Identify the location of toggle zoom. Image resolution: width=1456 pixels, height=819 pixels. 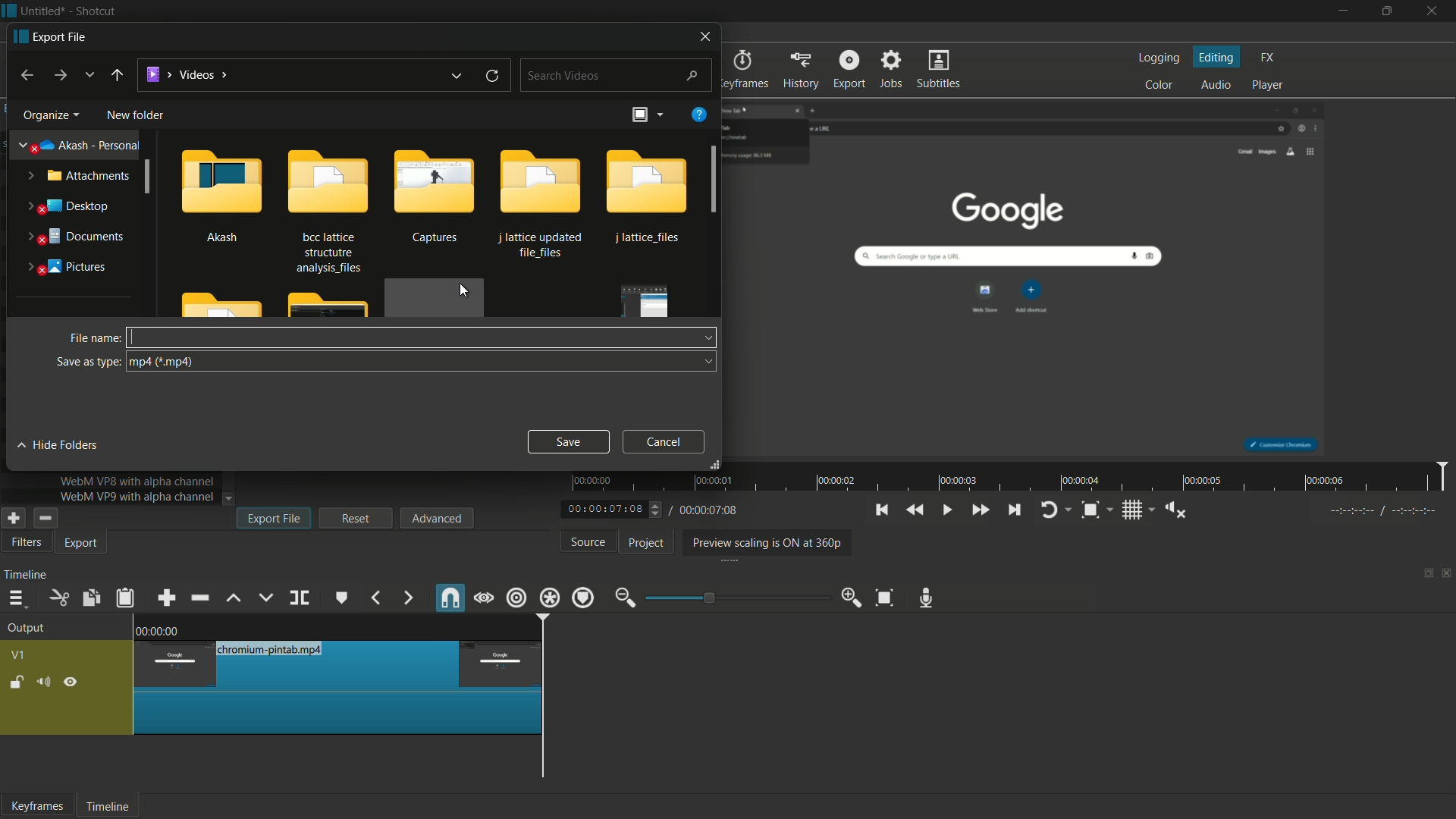
(1090, 511).